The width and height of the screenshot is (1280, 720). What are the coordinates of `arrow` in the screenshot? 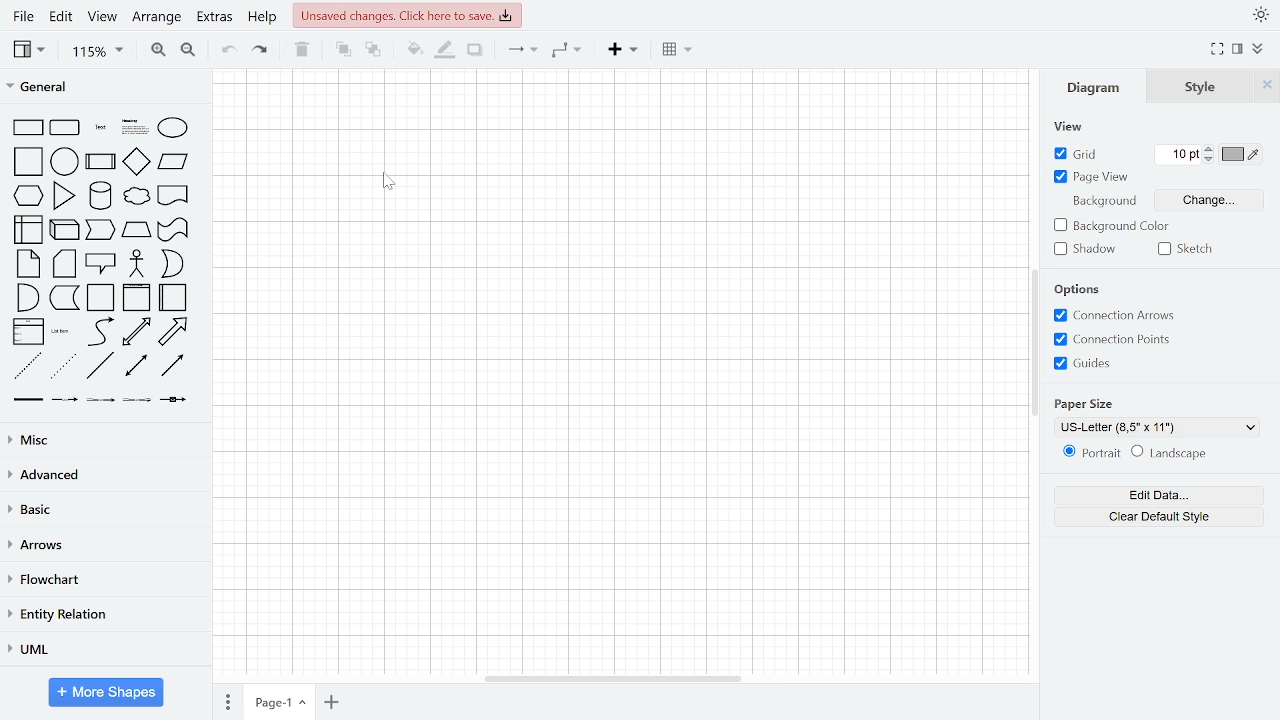 It's located at (172, 330).